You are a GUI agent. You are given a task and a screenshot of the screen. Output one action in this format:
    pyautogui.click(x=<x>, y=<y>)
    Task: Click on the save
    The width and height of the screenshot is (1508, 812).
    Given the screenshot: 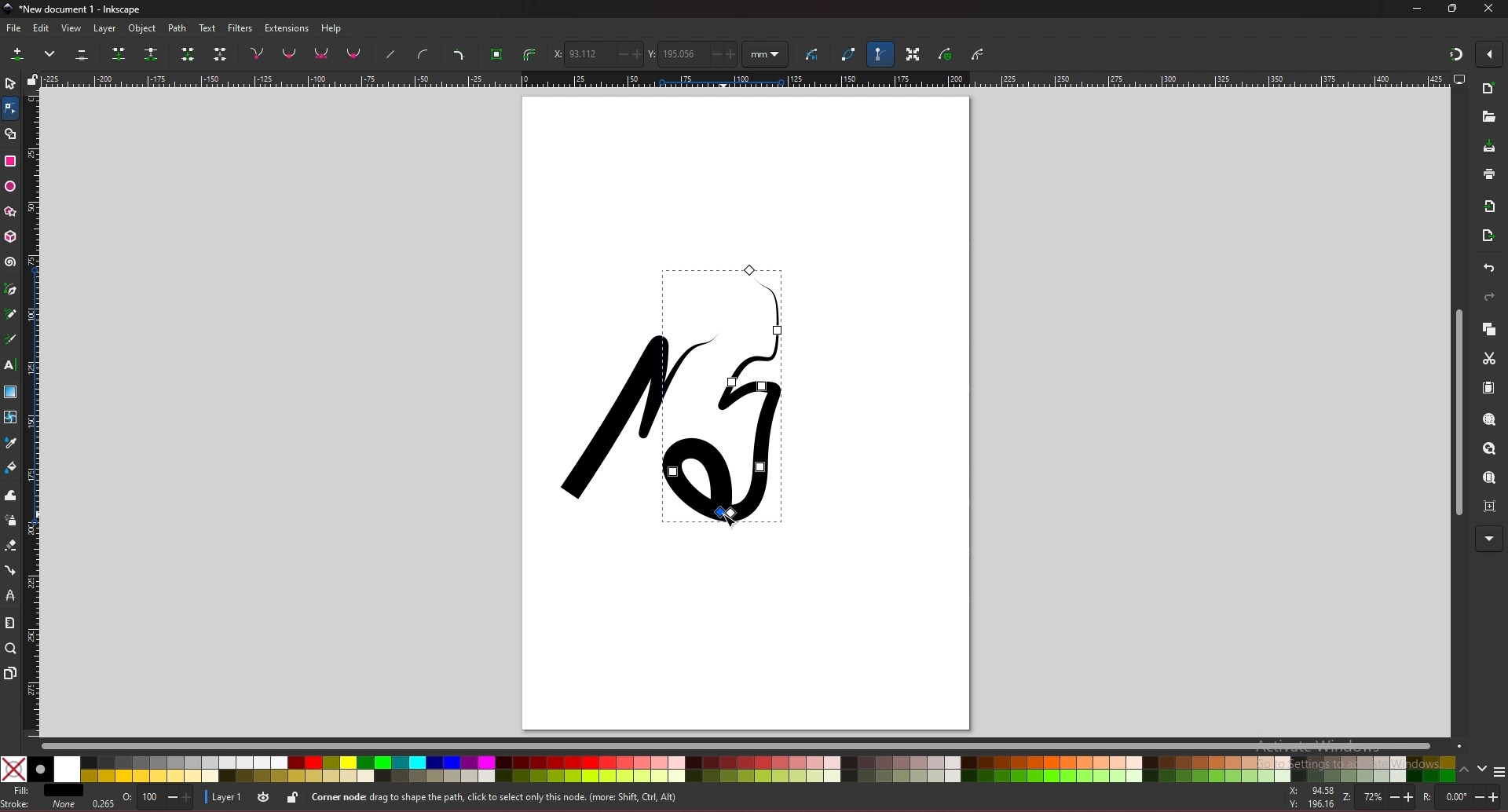 What is the action you would take?
    pyautogui.click(x=1489, y=146)
    